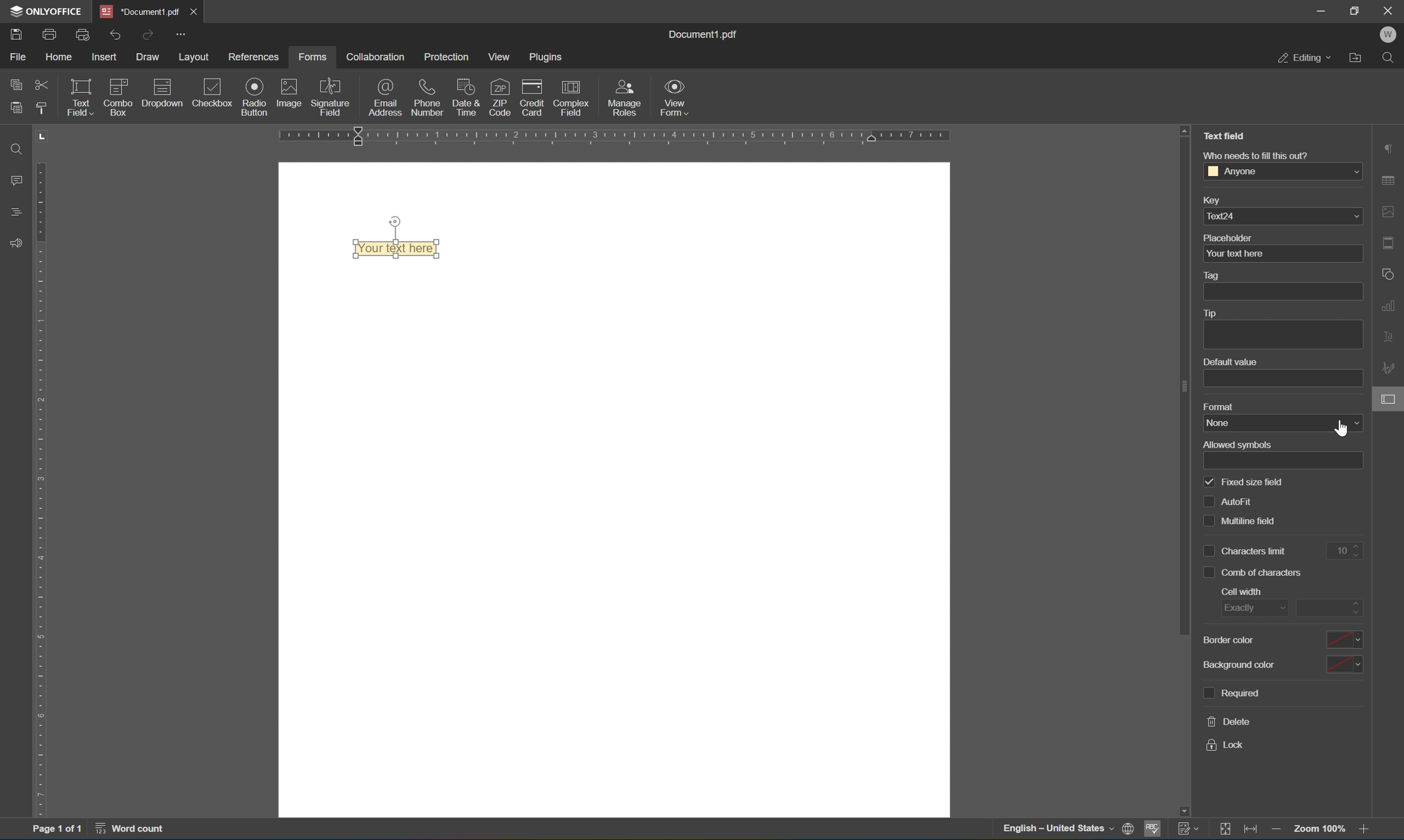  Describe the element at coordinates (55, 830) in the screenshot. I see `page 1 of 1` at that location.